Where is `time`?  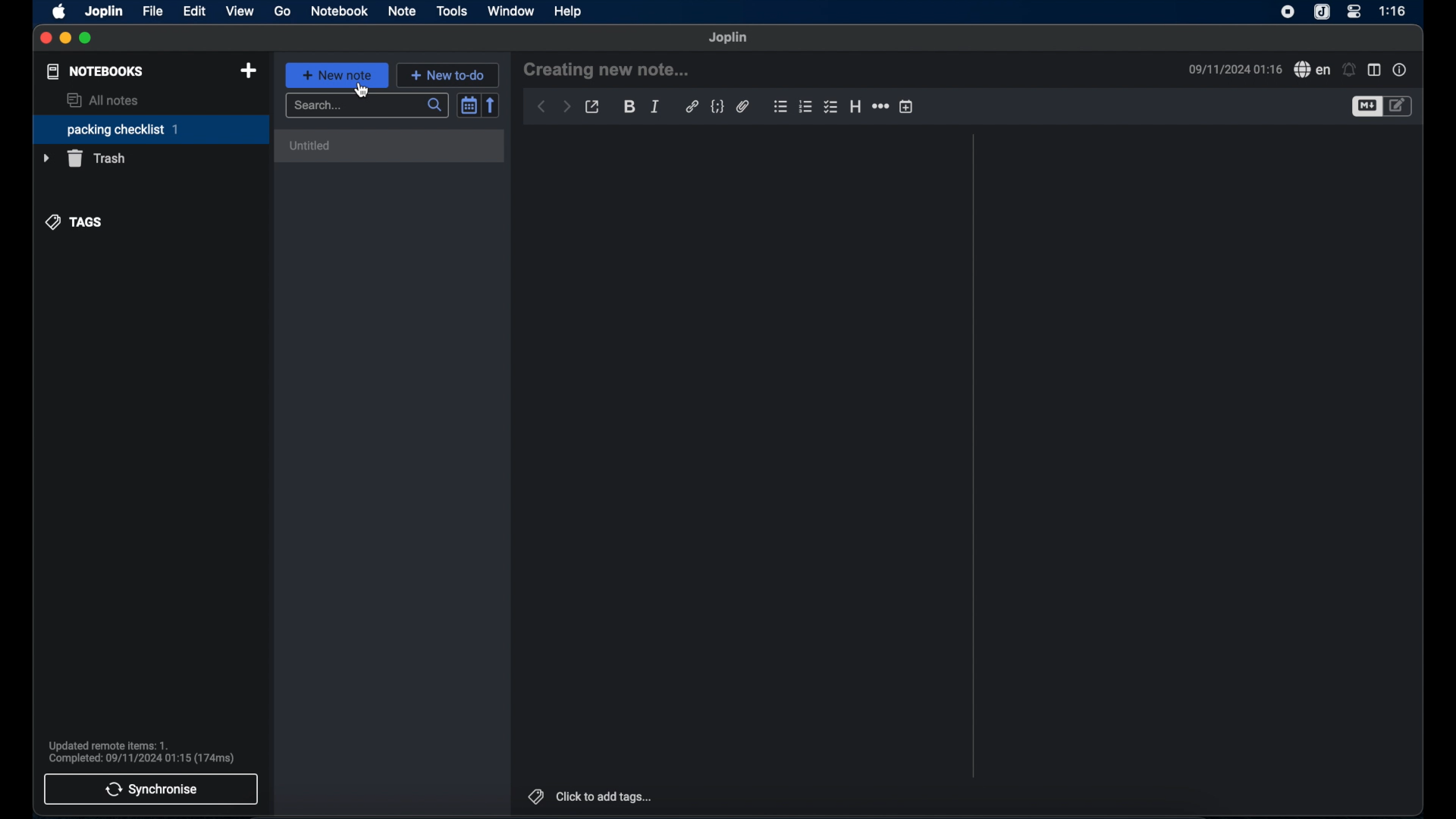 time is located at coordinates (1393, 11).